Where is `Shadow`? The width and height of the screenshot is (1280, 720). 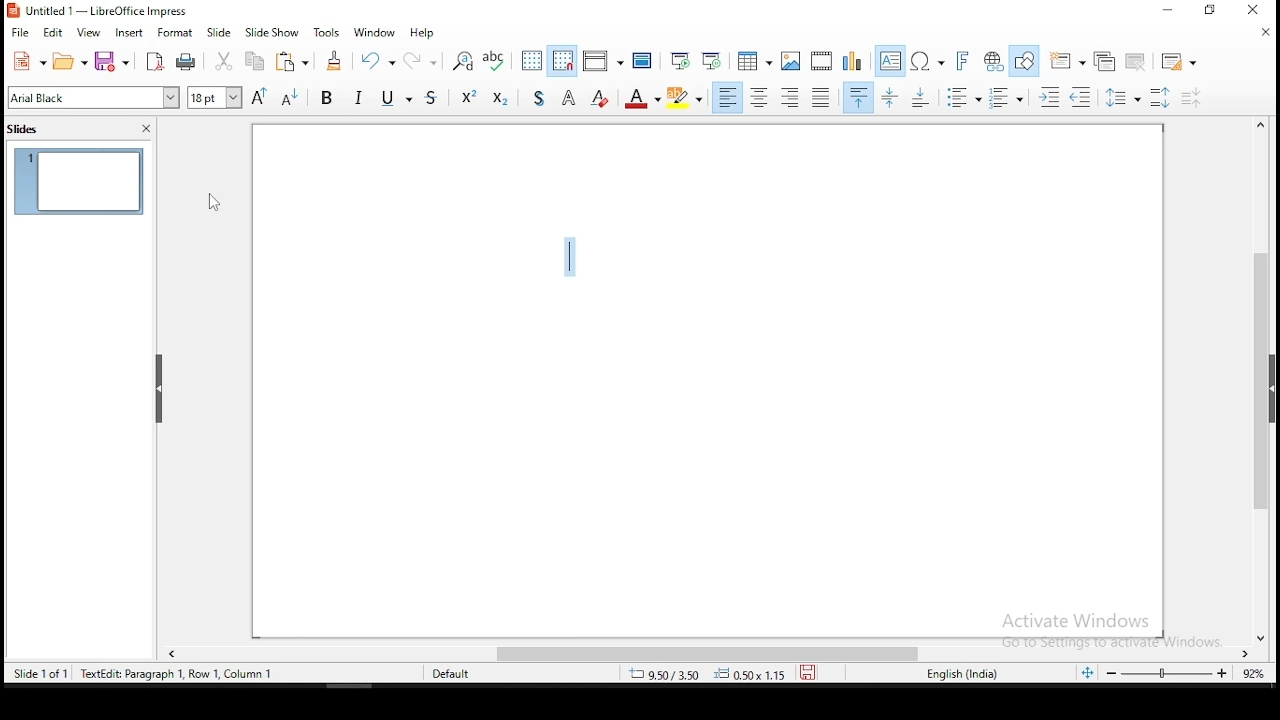 Shadow is located at coordinates (539, 96).